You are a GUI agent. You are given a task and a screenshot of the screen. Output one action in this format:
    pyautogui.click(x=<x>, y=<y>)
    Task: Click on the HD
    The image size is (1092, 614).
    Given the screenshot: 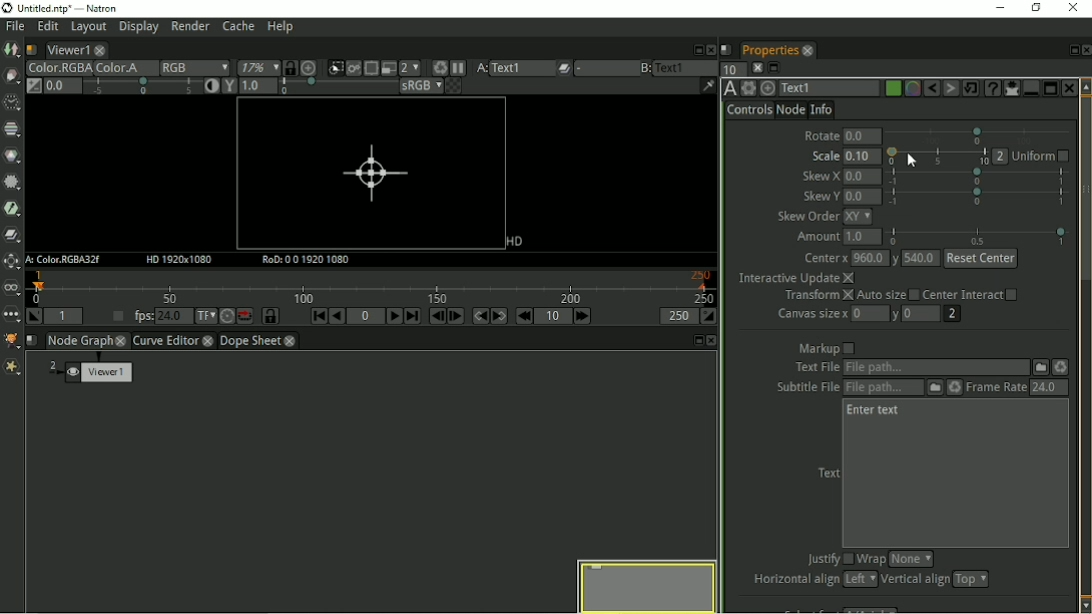 What is the action you would take?
    pyautogui.click(x=179, y=259)
    